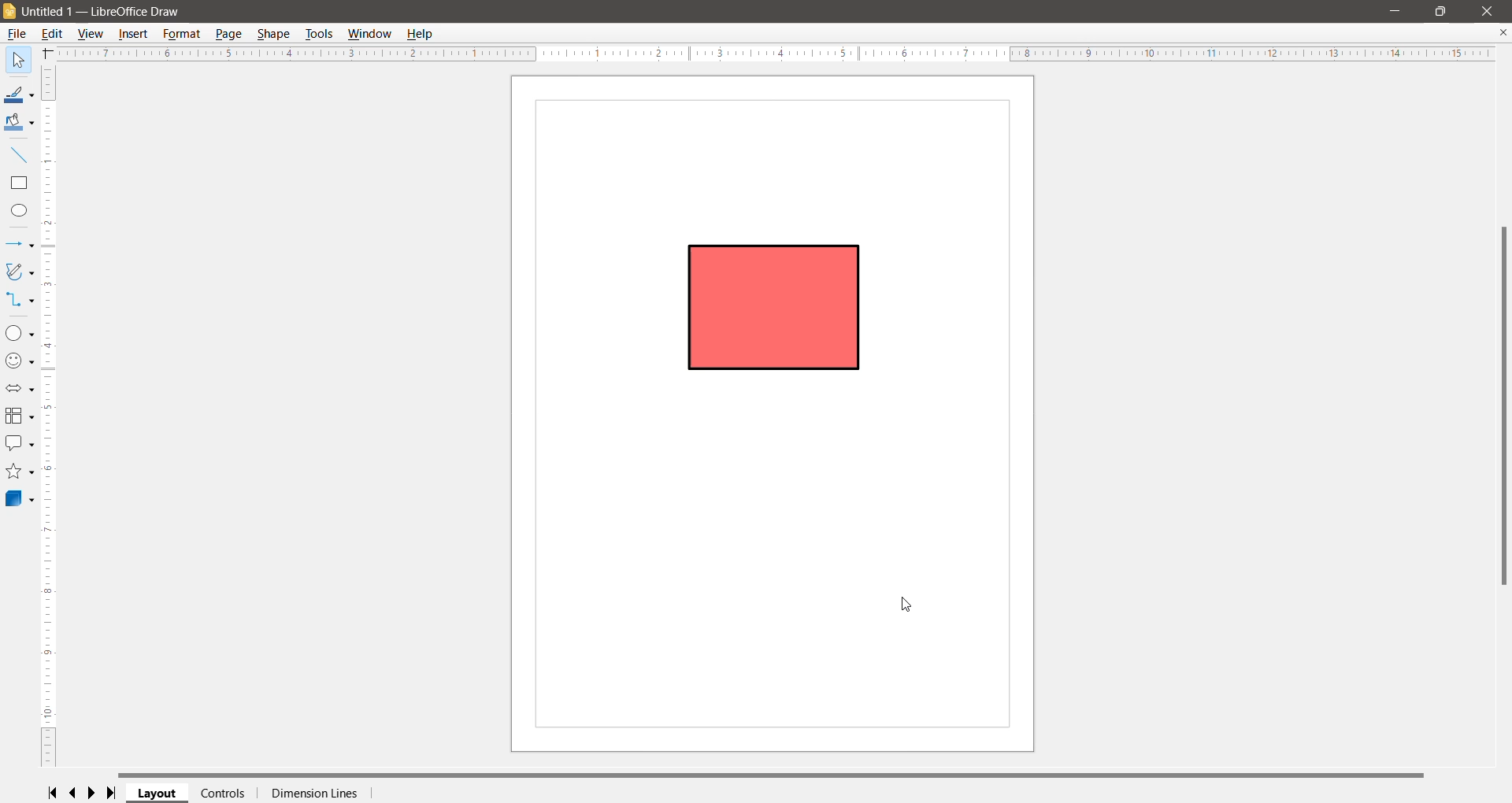 Image resolution: width=1512 pixels, height=803 pixels. I want to click on Scroll to first page, so click(54, 793).